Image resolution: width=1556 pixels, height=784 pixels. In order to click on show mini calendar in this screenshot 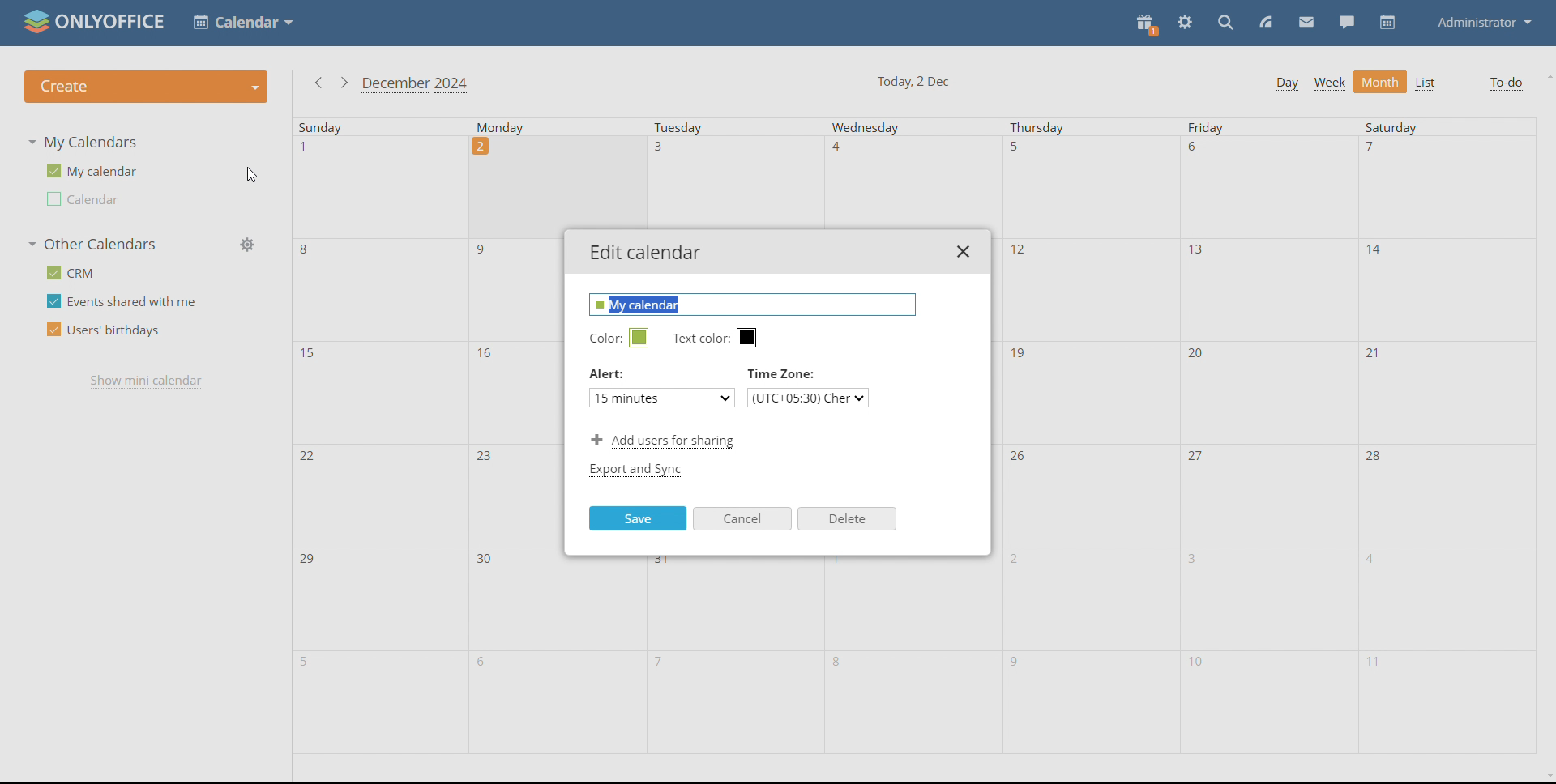, I will do `click(147, 382)`.